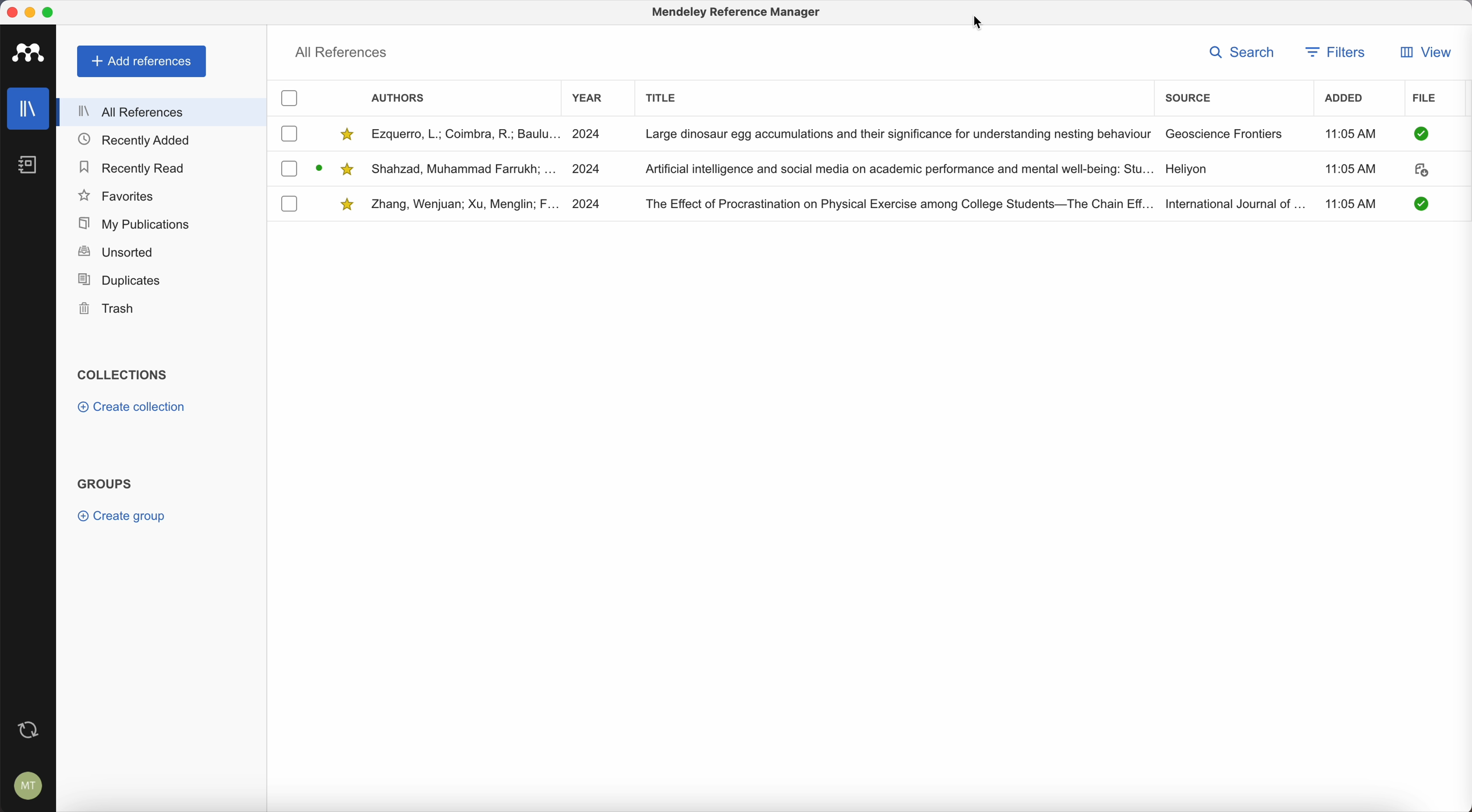 Image resolution: width=1472 pixels, height=812 pixels. I want to click on Geoscience Frontiers, so click(1225, 133).